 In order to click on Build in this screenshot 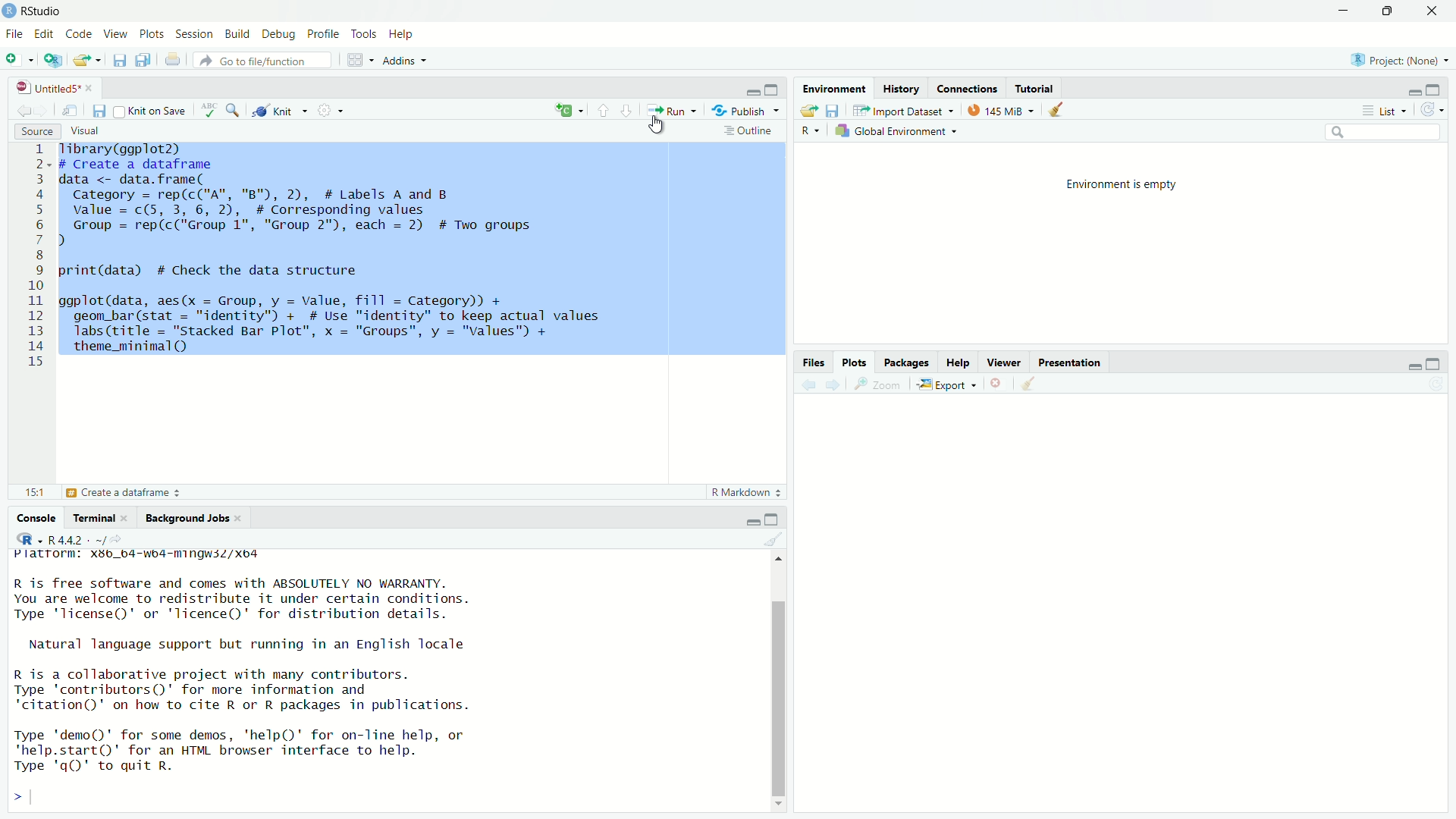, I will do `click(237, 33)`.